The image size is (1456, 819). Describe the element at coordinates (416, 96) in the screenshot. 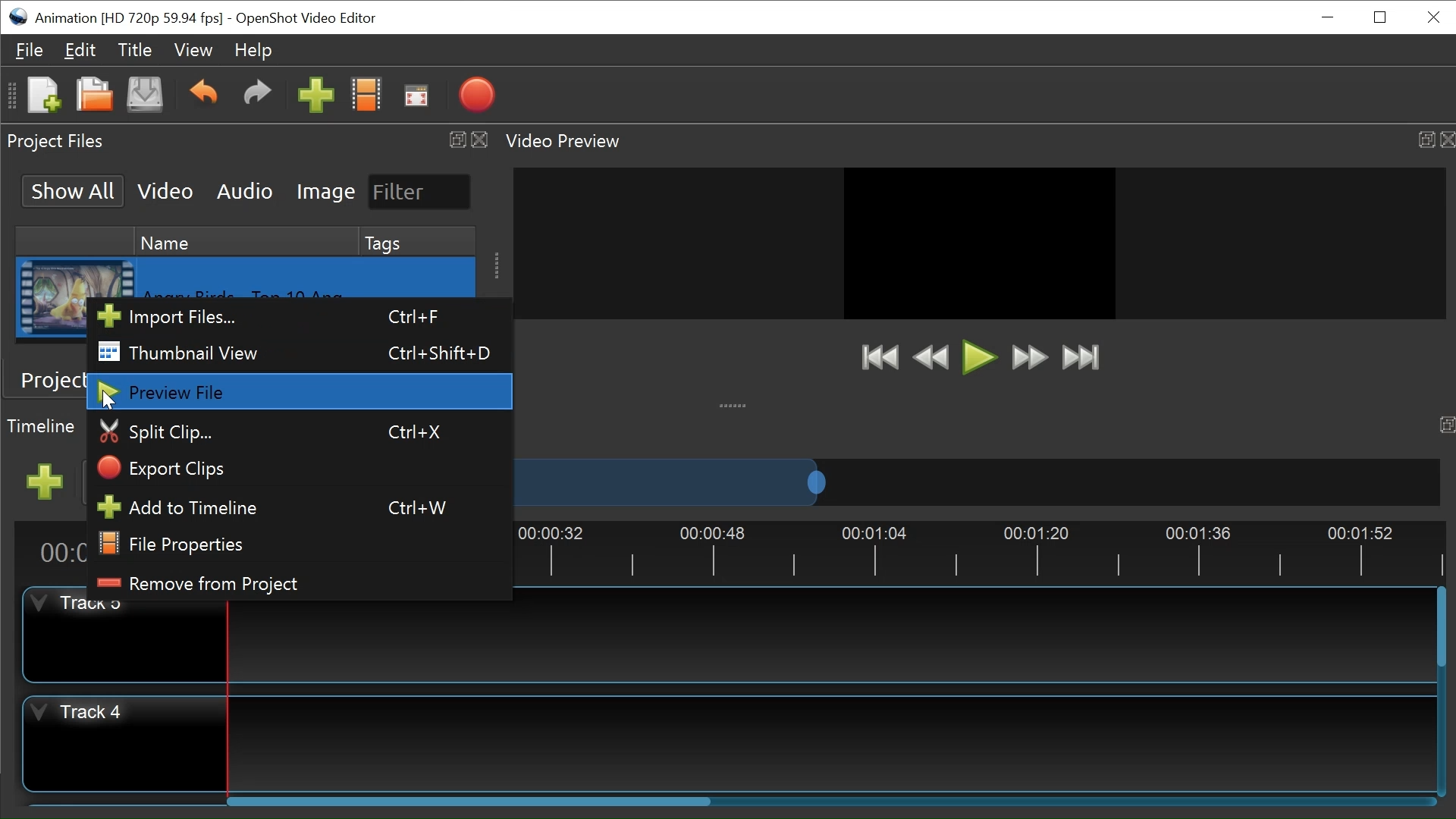

I see `Fullscreen` at that location.